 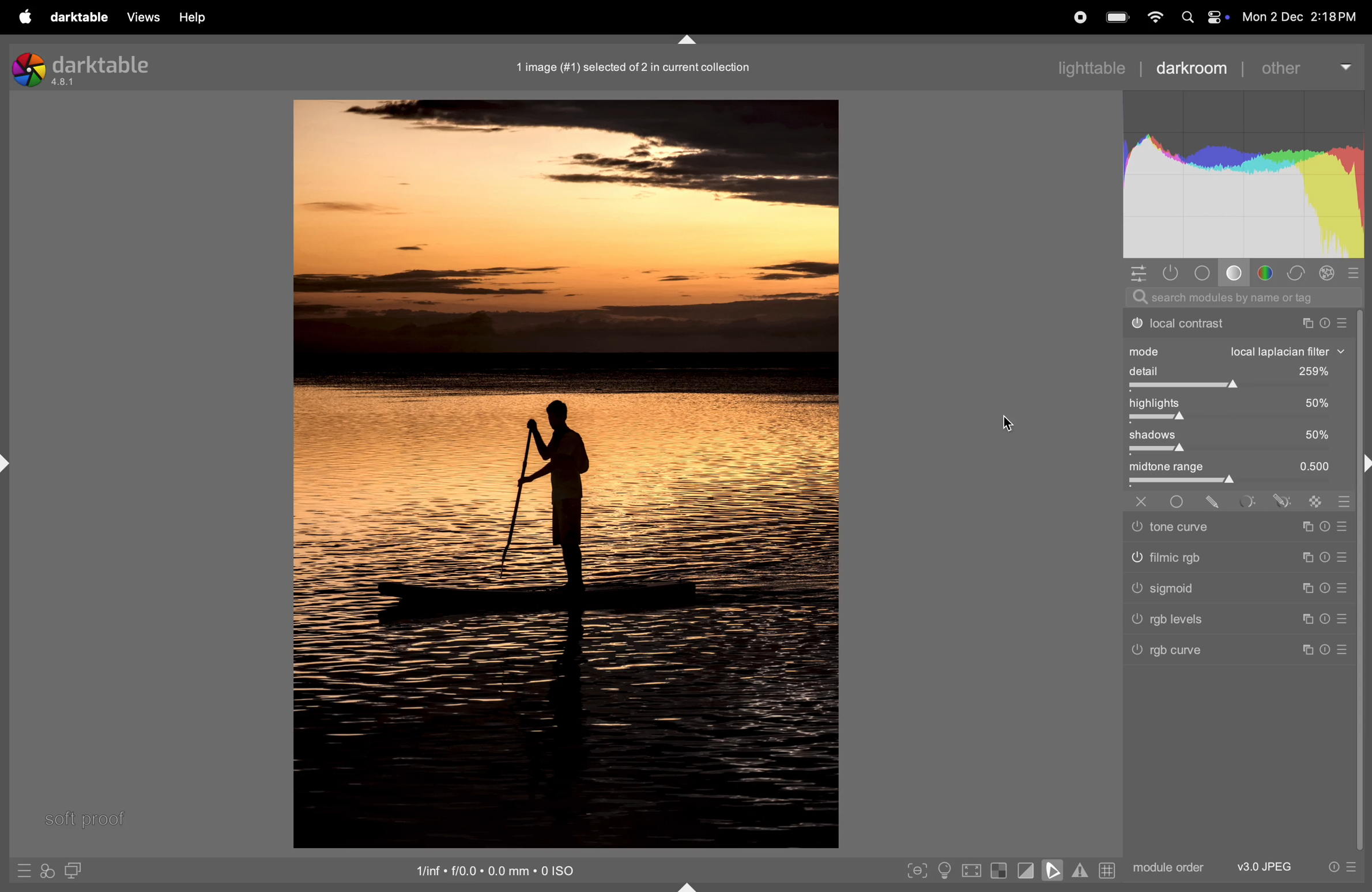 What do you see at coordinates (1307, 587) in the screenshot?
I see `sign ` at bounding box center [1307, 587].